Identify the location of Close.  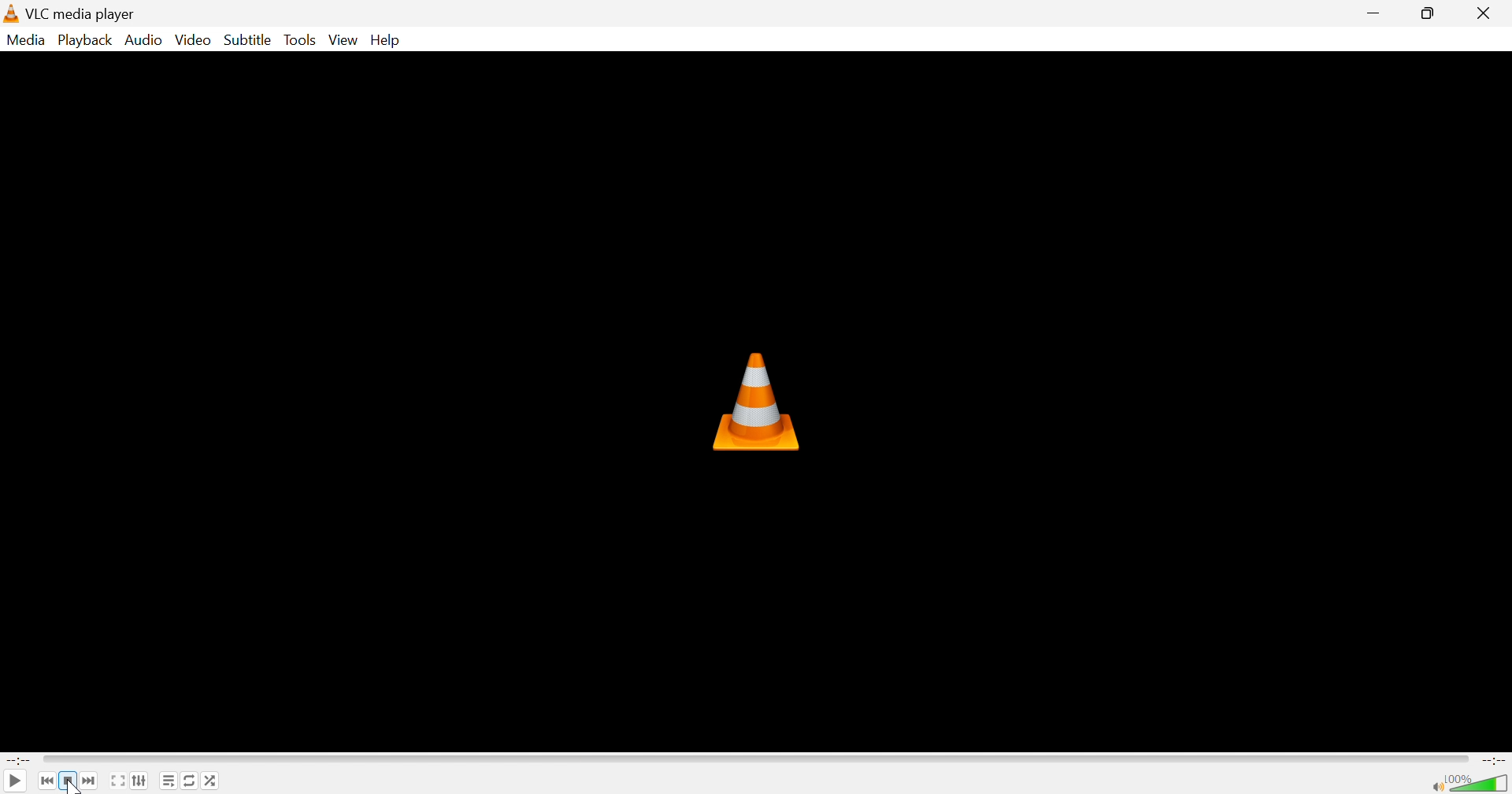
(1488, 13).